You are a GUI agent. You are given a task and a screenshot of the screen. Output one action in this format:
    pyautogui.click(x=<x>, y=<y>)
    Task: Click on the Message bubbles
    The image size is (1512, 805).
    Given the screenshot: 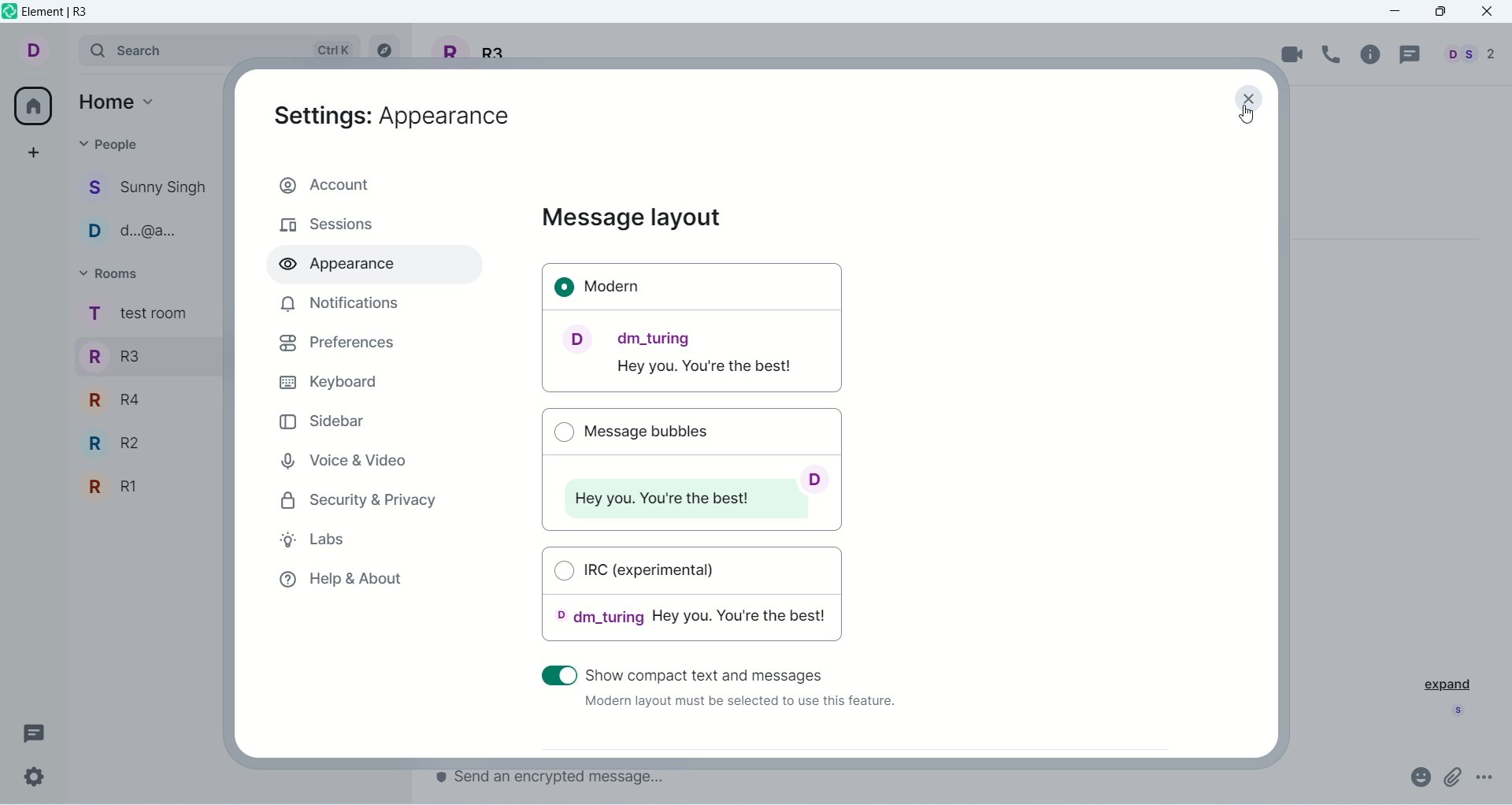 What is the action you would take?
    pyautogui.click(x=690, y=466)
    